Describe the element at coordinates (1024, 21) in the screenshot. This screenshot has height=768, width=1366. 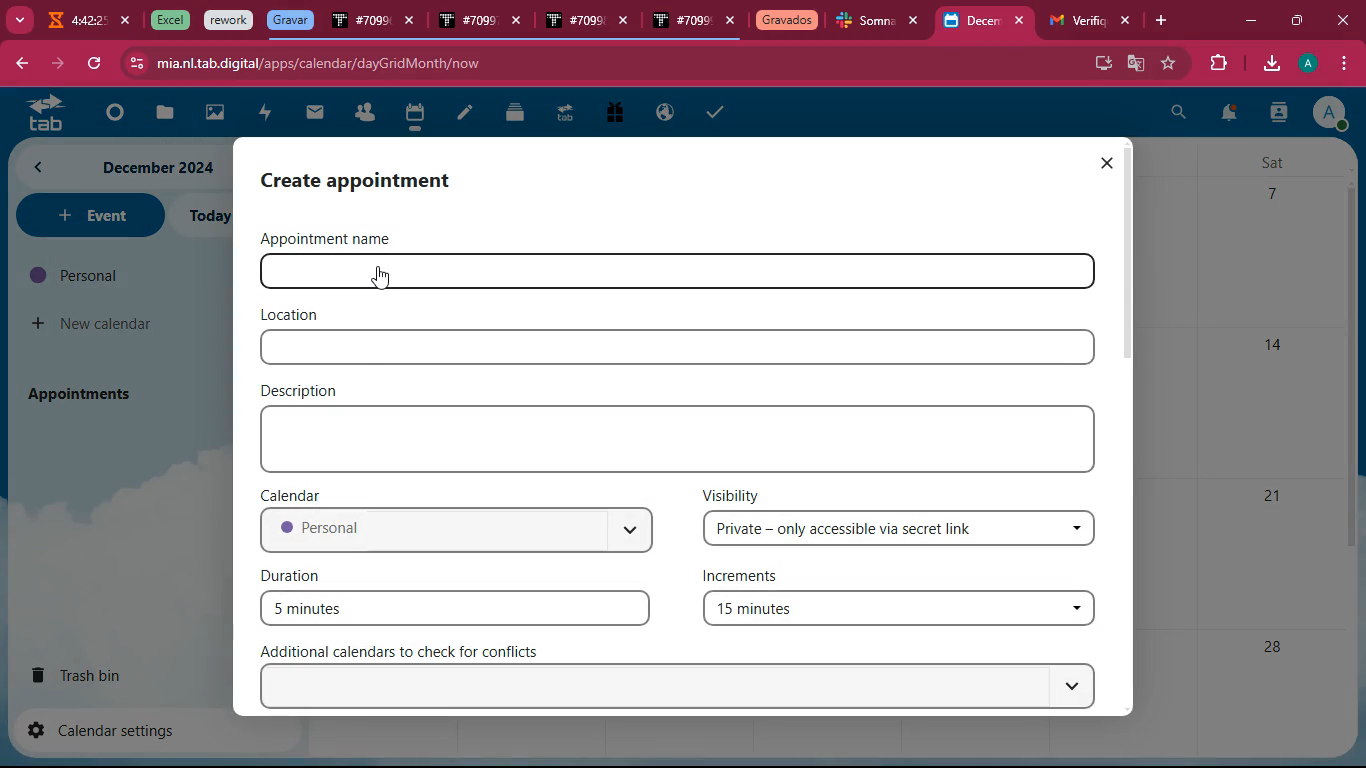
I see `close` at that location.